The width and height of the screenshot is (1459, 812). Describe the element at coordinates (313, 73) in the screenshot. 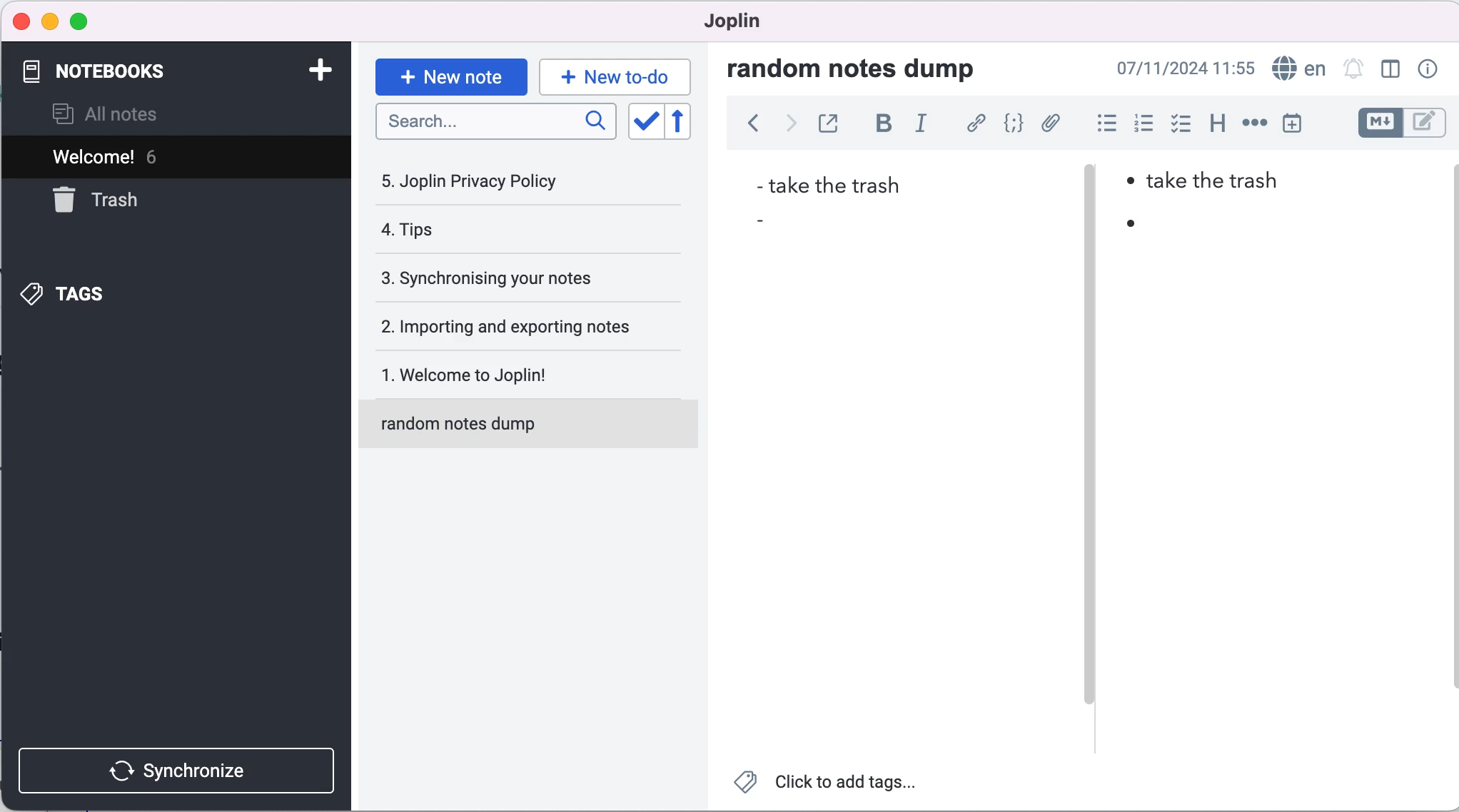

I see `add notebook` at that location.